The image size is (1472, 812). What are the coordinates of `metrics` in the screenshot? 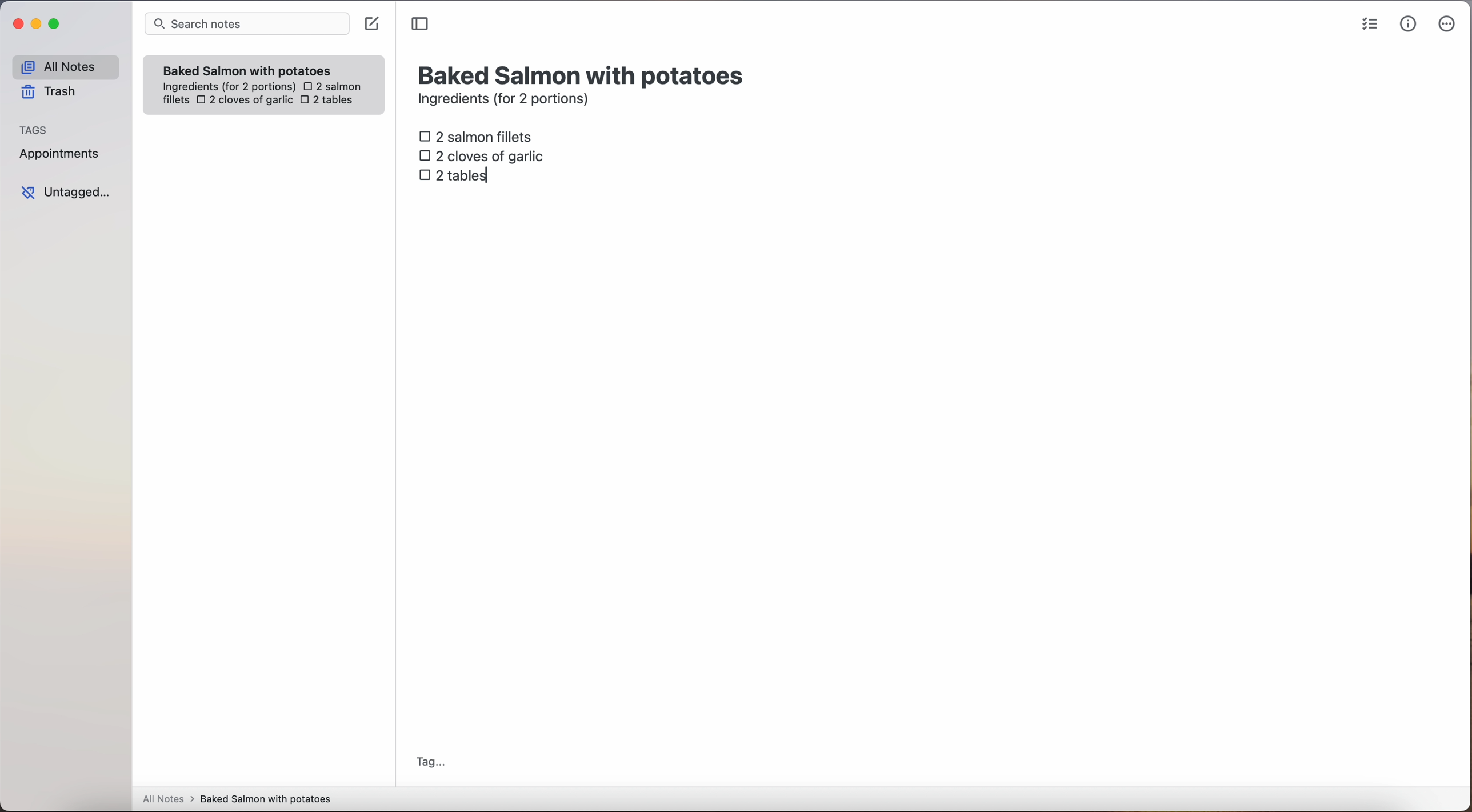 It's located at (1409, 23).